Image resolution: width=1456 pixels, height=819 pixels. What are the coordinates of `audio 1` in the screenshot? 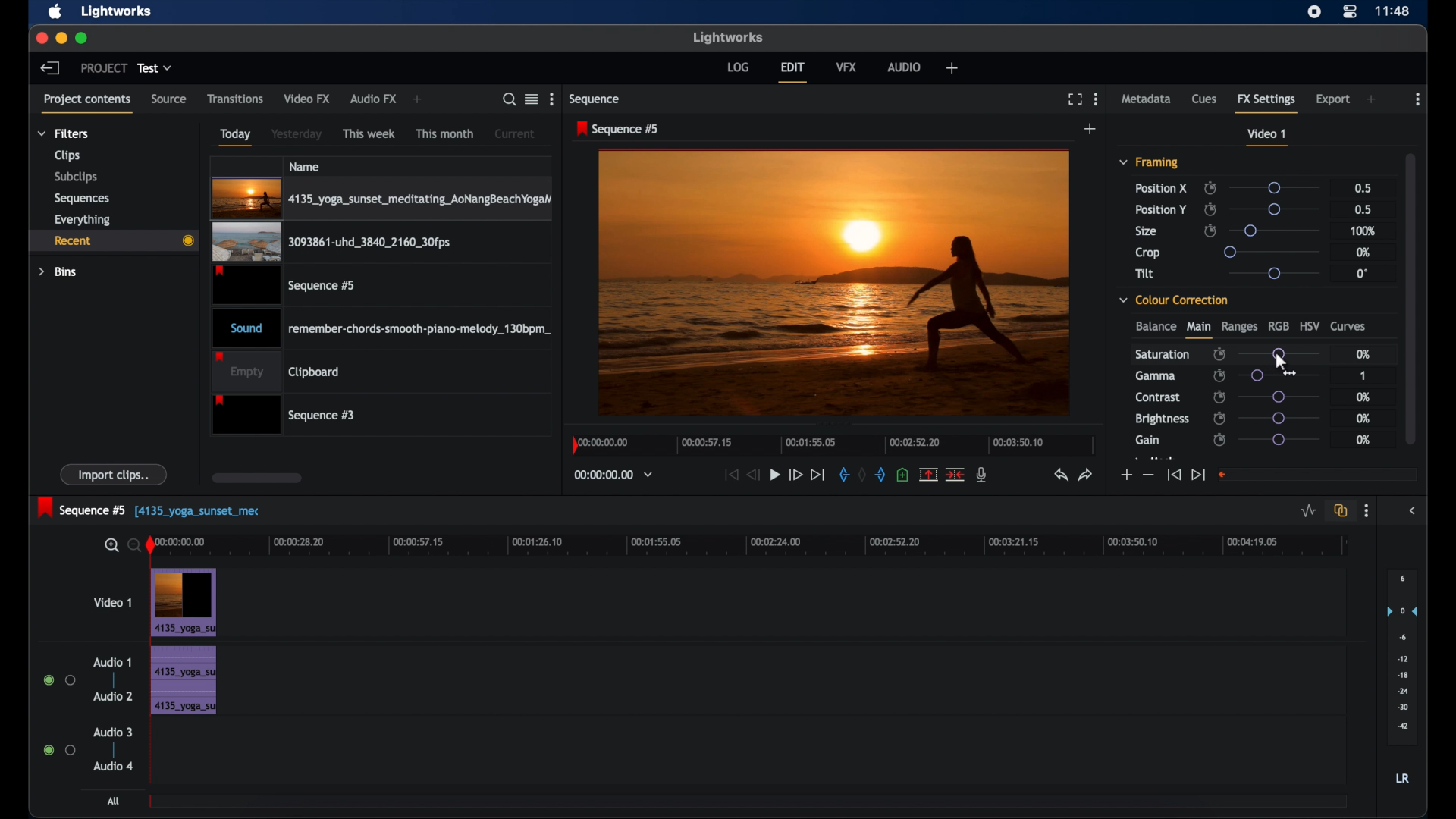 It's located at (112, 662).